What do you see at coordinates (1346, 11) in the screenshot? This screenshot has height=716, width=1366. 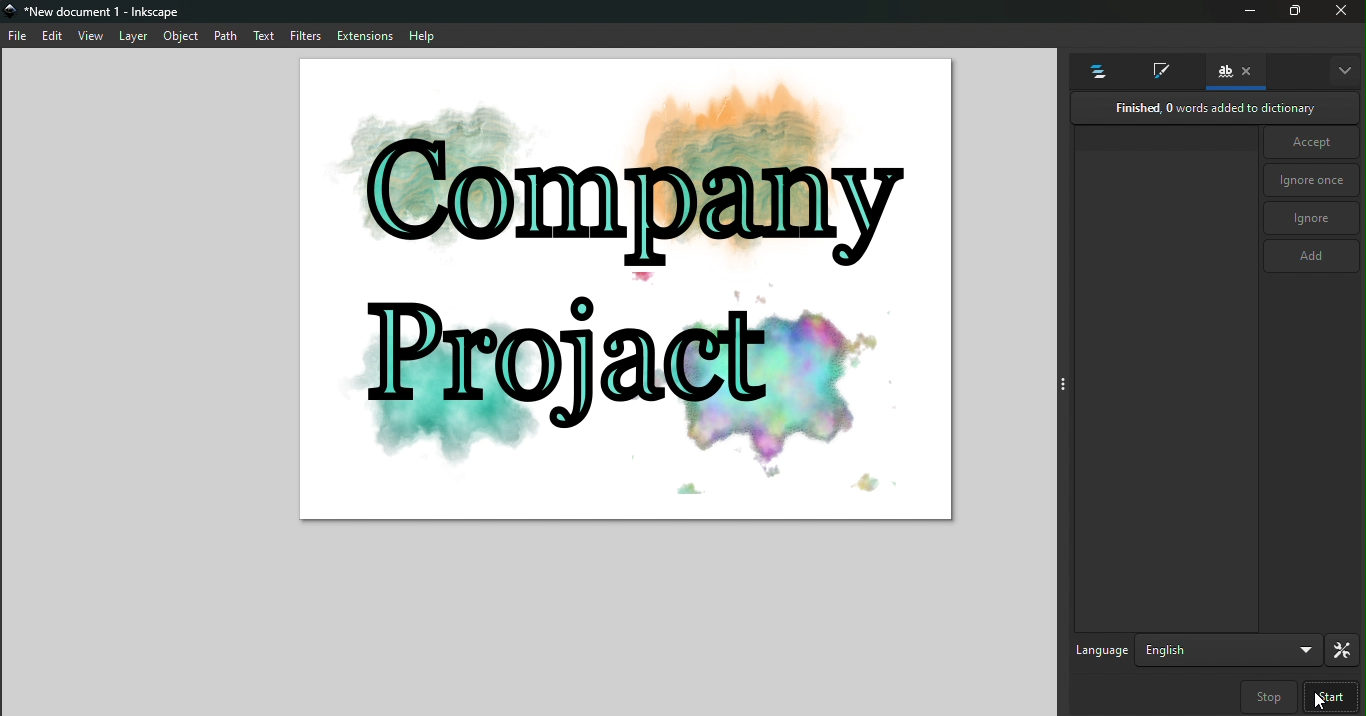 I see `close` at bounding box center [1346, 11].